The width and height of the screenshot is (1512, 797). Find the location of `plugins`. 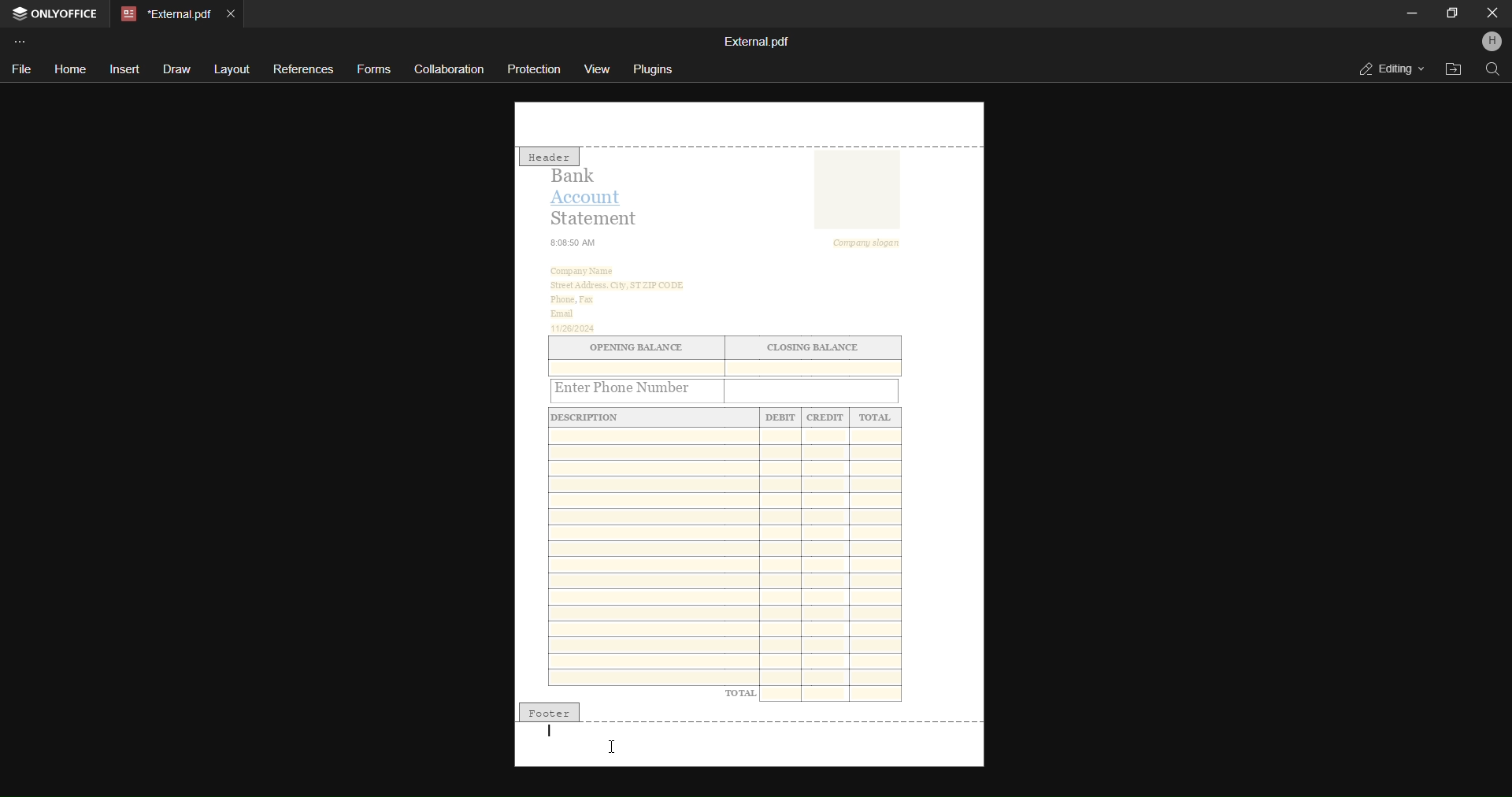

plugins is located at coordinates (654, 69).